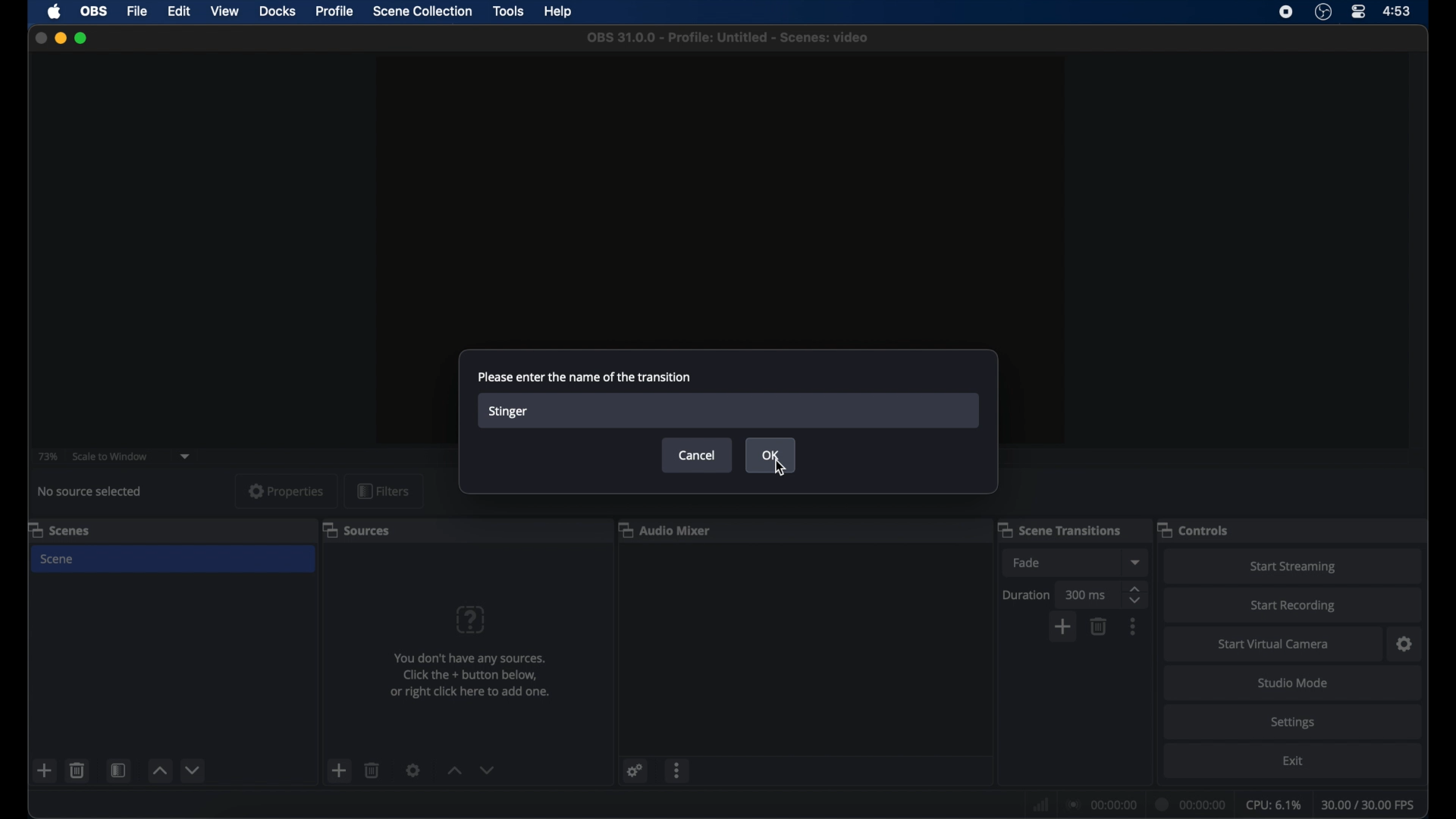  What do you see at coordinates (373, 770) in the screenshot?
I see `delete` at bounding box center [373, 770].